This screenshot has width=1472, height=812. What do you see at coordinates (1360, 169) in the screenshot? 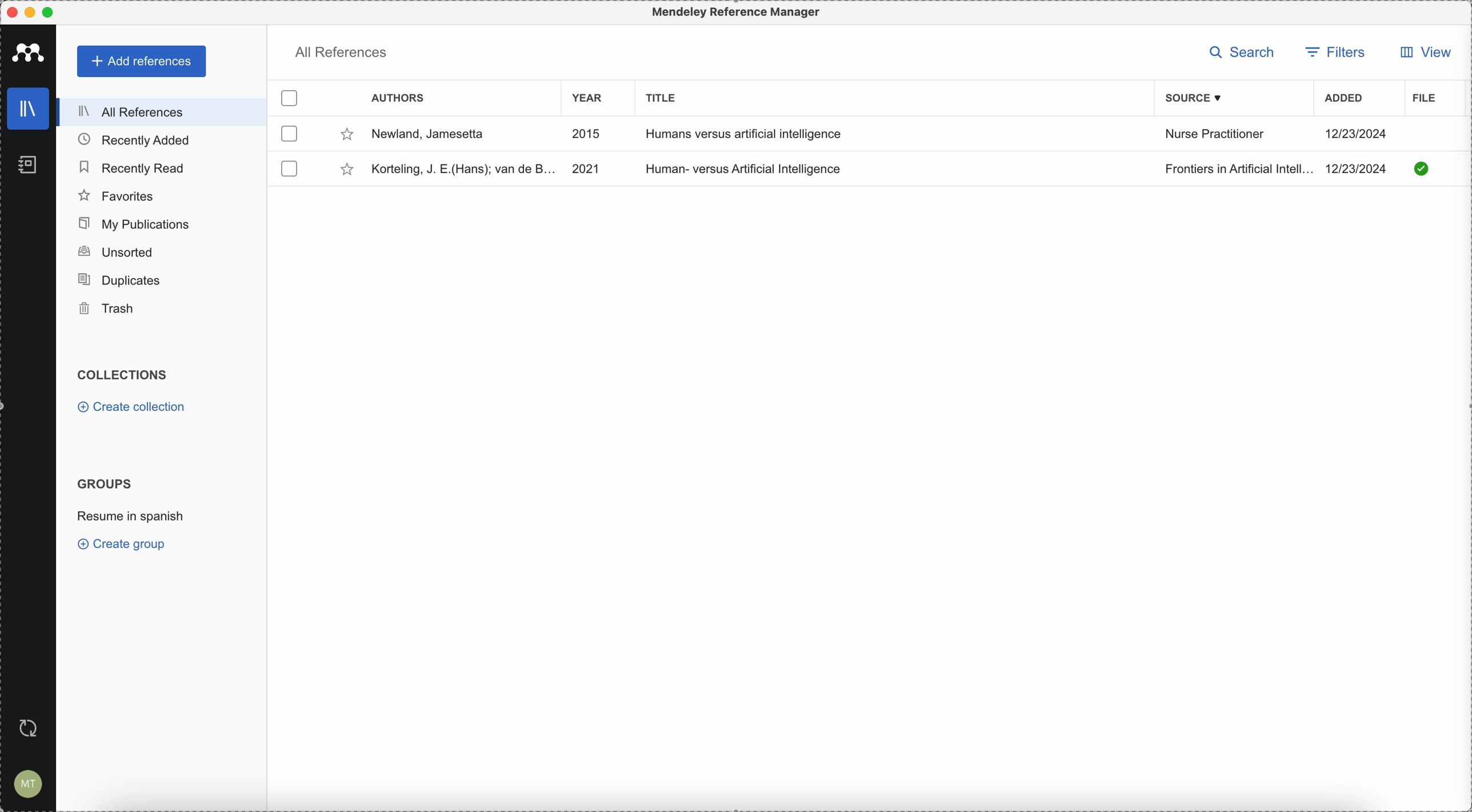
I see `12/23/2024` at bounding box center [1360, 169].